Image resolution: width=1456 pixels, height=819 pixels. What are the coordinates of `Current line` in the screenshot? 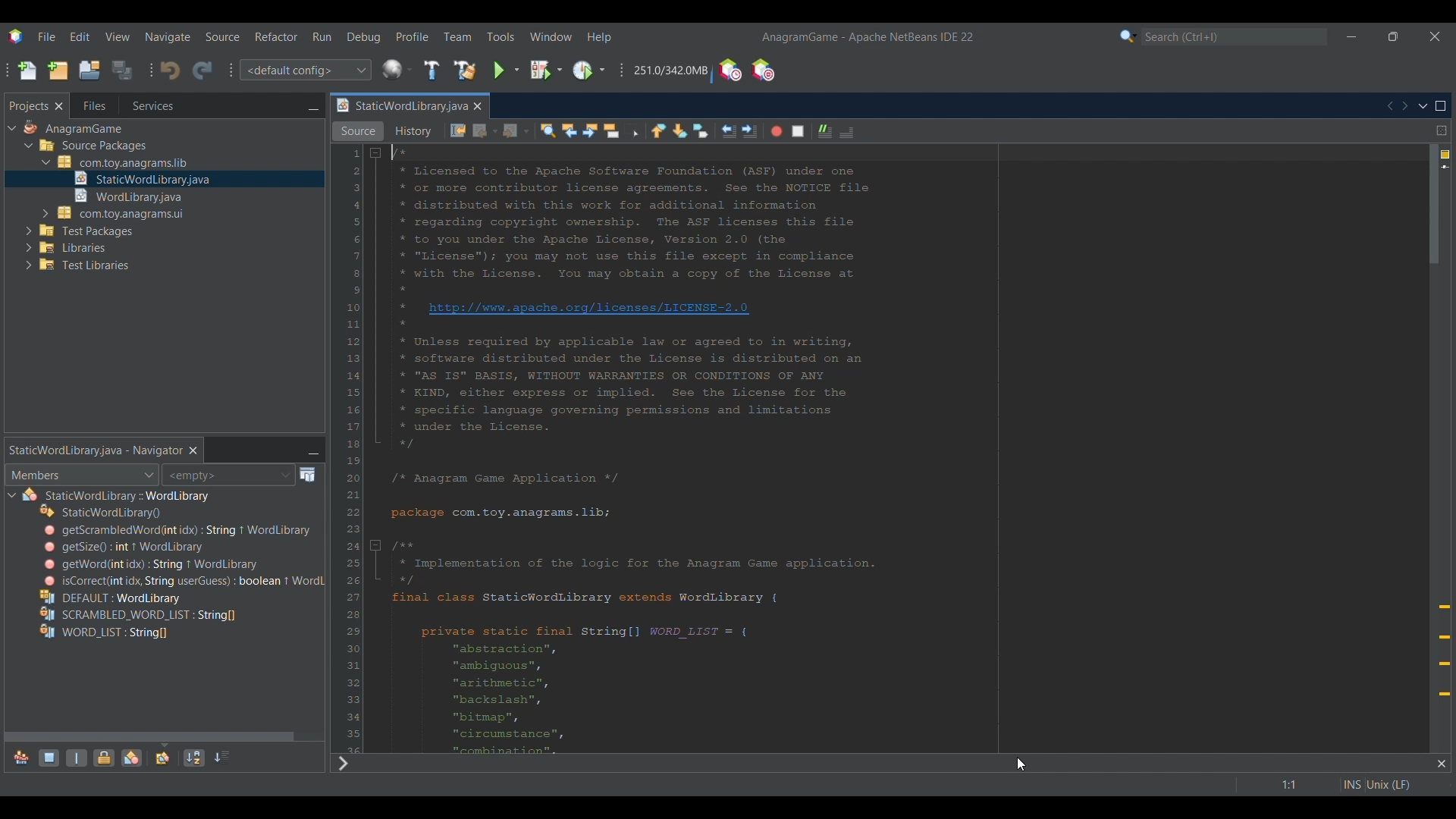 It's located at (1445, 167).